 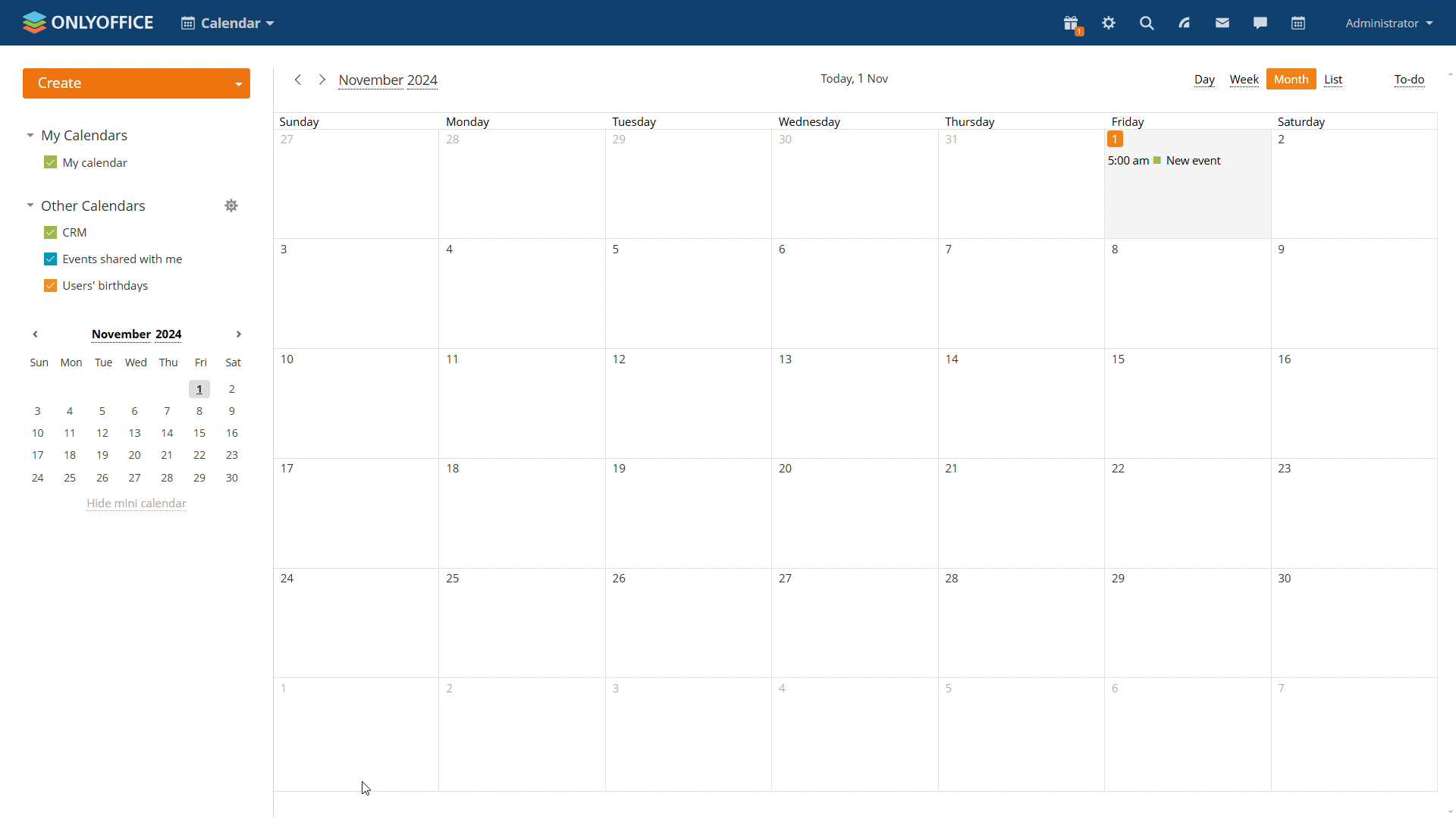 I want to click on Thursdays, so click(x=1015, y=452).